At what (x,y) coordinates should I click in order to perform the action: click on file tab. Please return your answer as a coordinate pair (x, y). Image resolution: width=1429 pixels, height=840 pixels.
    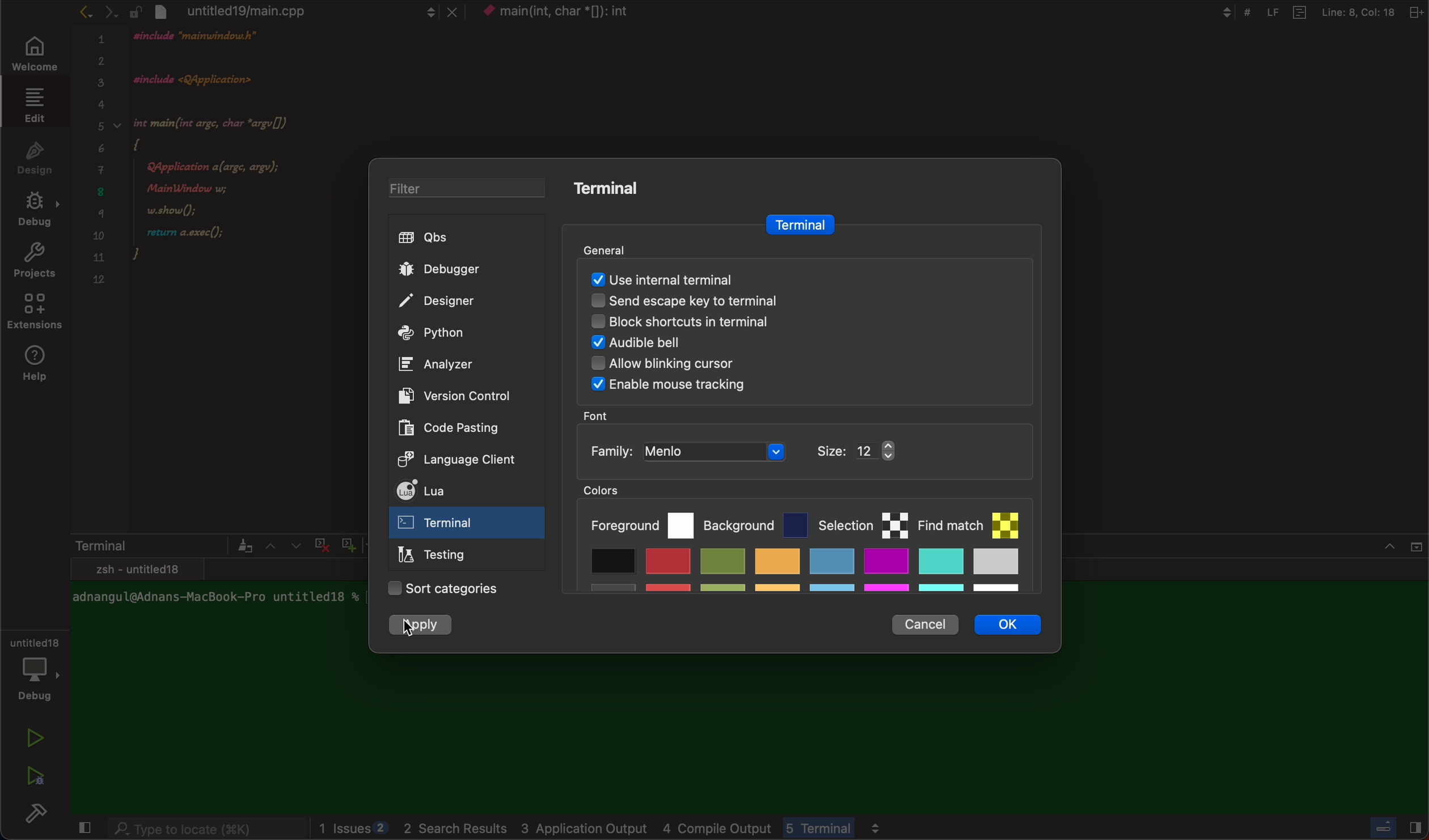
    Looking at the image, I should click on (294, 11).